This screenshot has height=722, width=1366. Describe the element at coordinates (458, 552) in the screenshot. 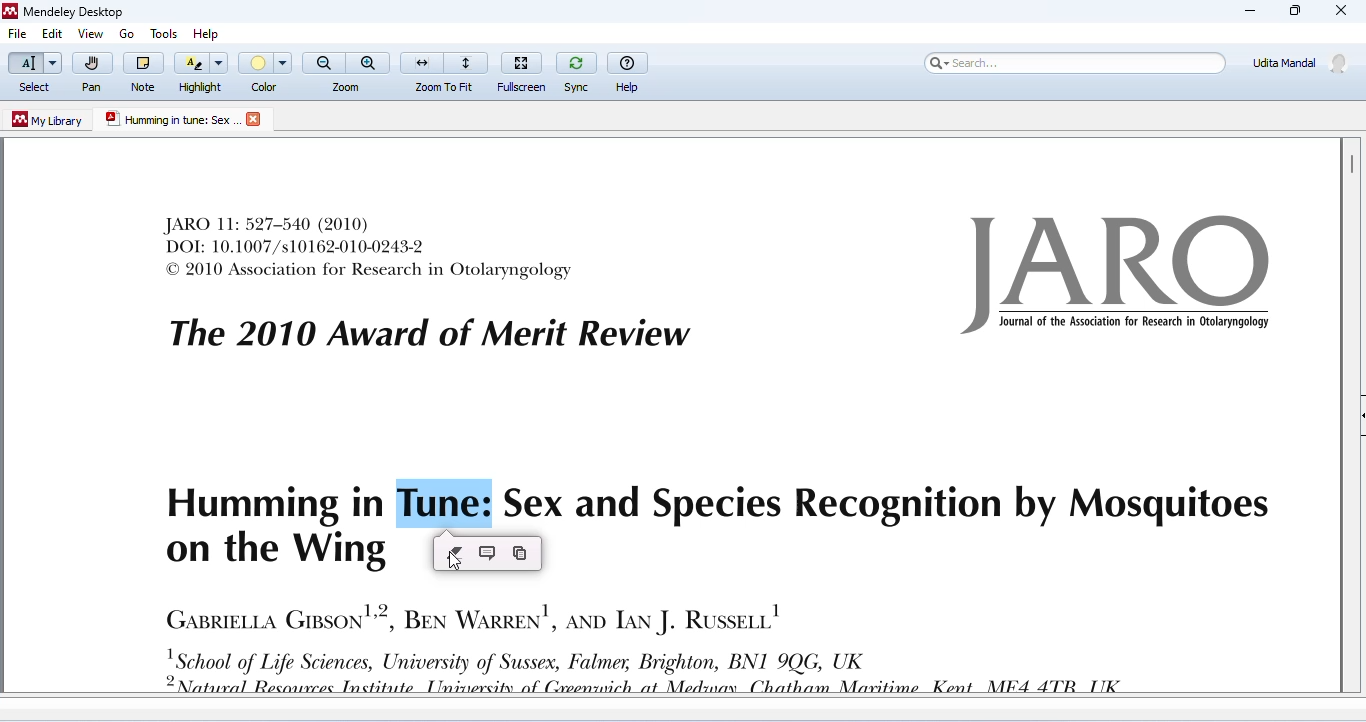

I see `highlight` at that location.